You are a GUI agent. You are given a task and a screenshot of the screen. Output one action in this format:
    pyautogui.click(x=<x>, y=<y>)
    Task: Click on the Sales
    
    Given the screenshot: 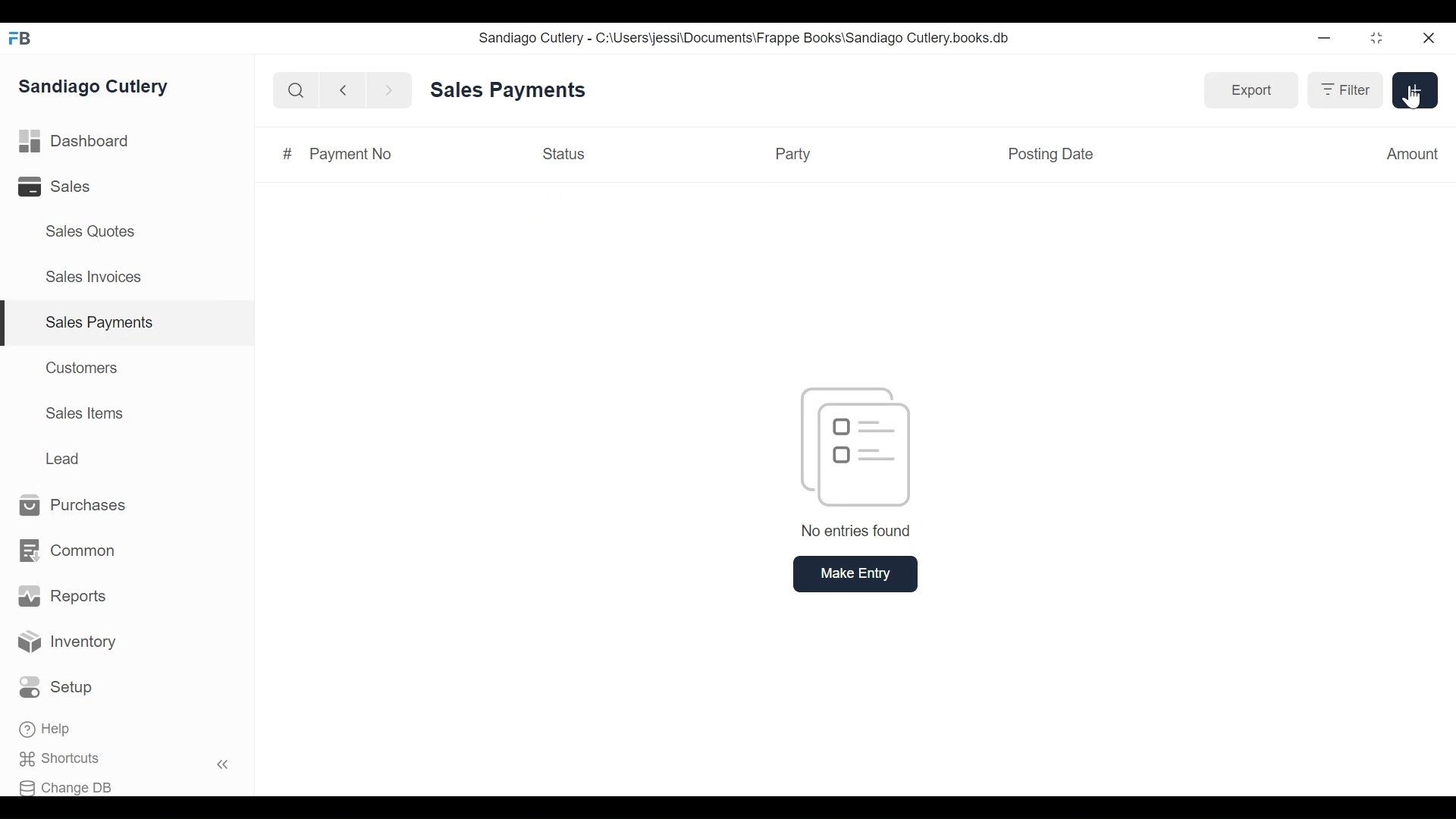 What is the action you would take?
    pyautogui.click(x=65, y=187)
    